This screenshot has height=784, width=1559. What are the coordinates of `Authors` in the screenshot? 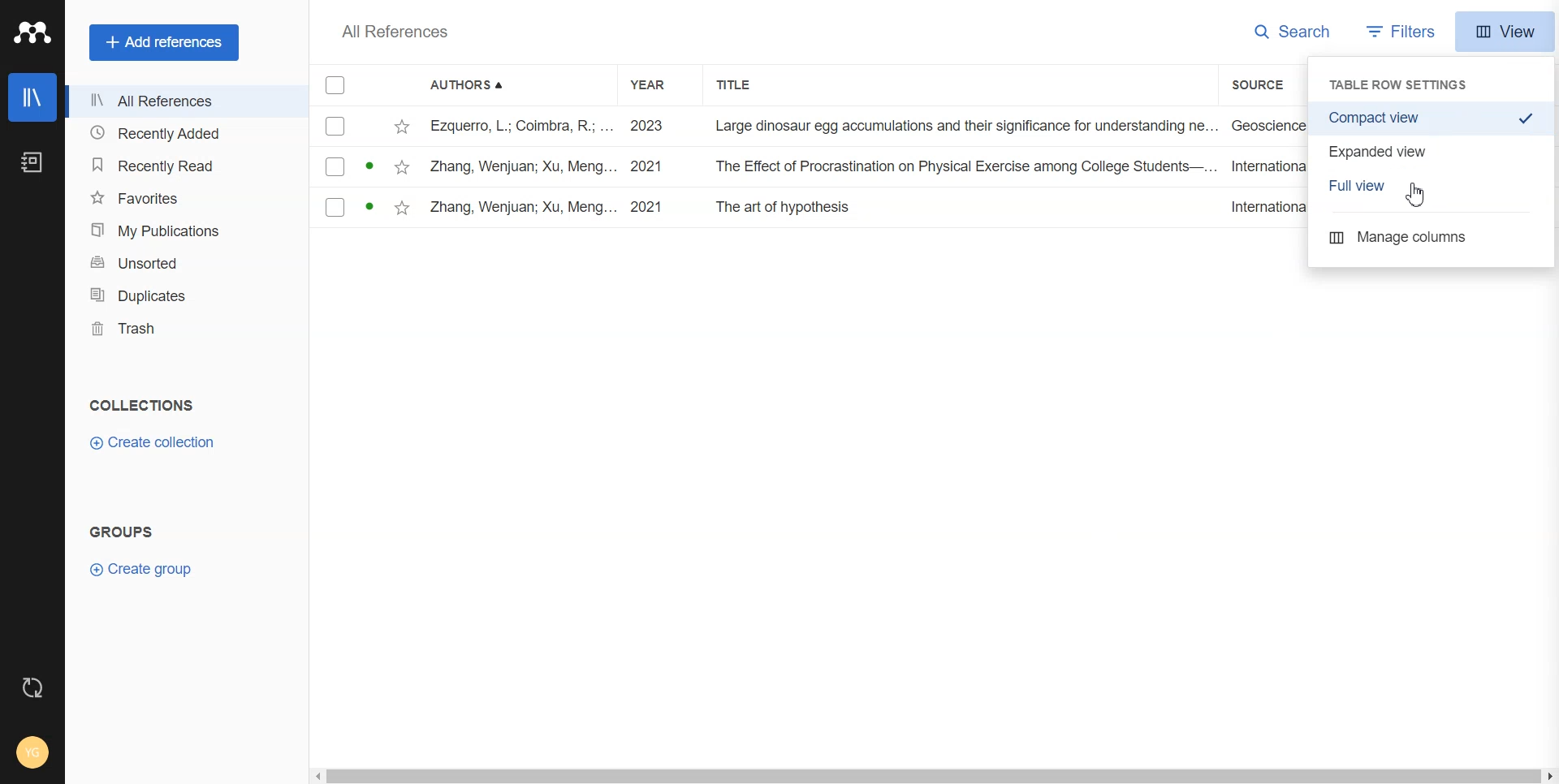 It's located at (473, 86).